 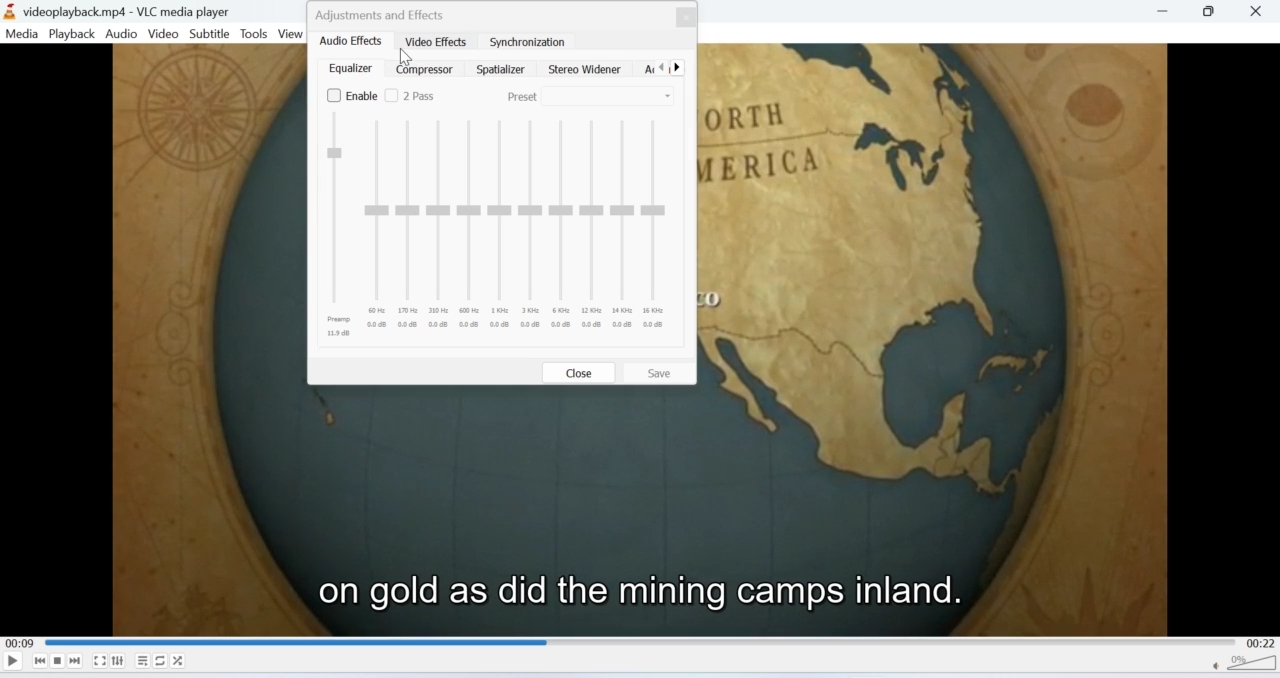 What do you see at coordinates (18, 644) in the screenshot?
I see `00:09` at bounding box center [18, 644].